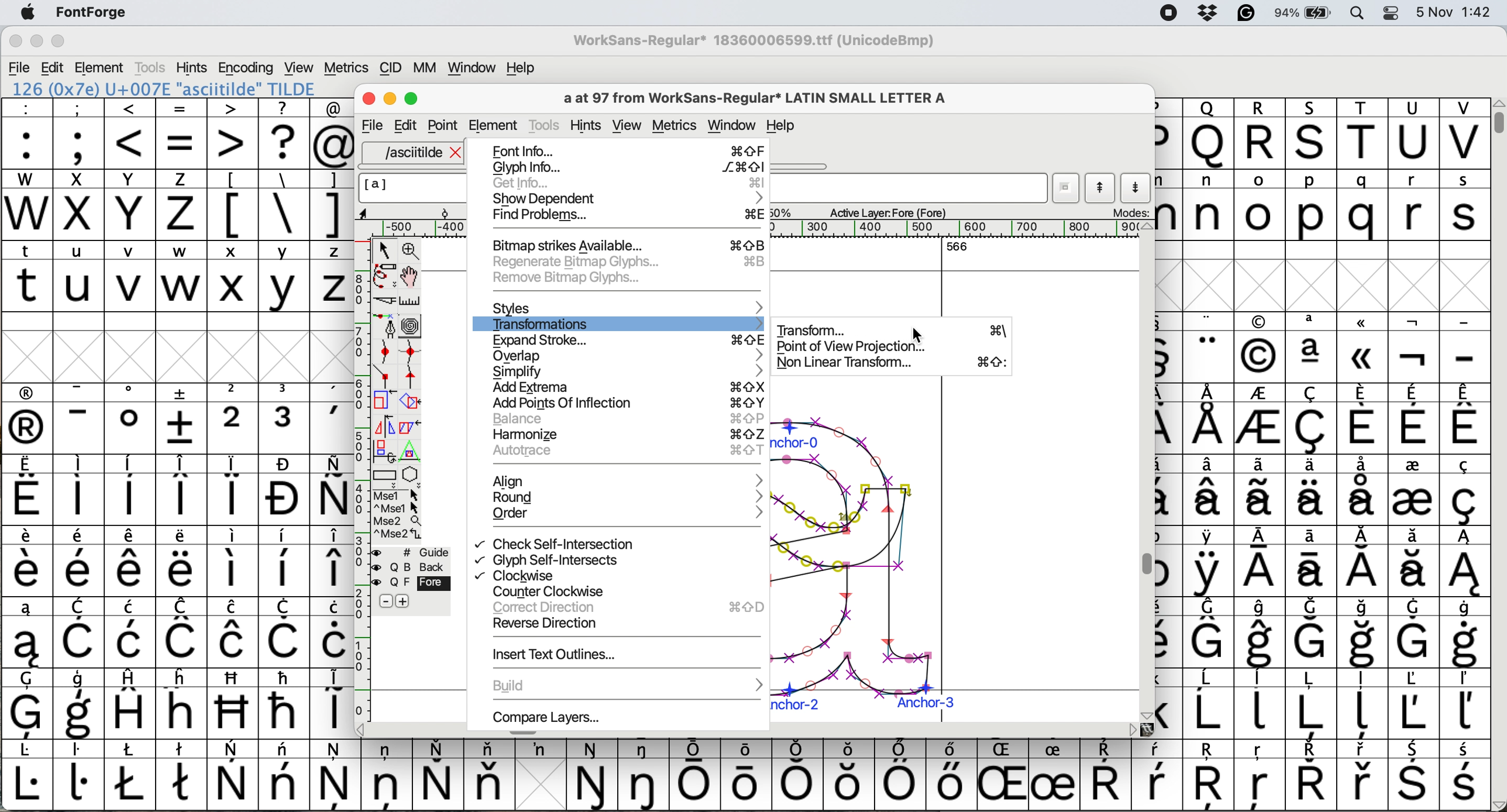 This screenshot has height=812, width=1507. I want to click on symbol, so click(331, 490).